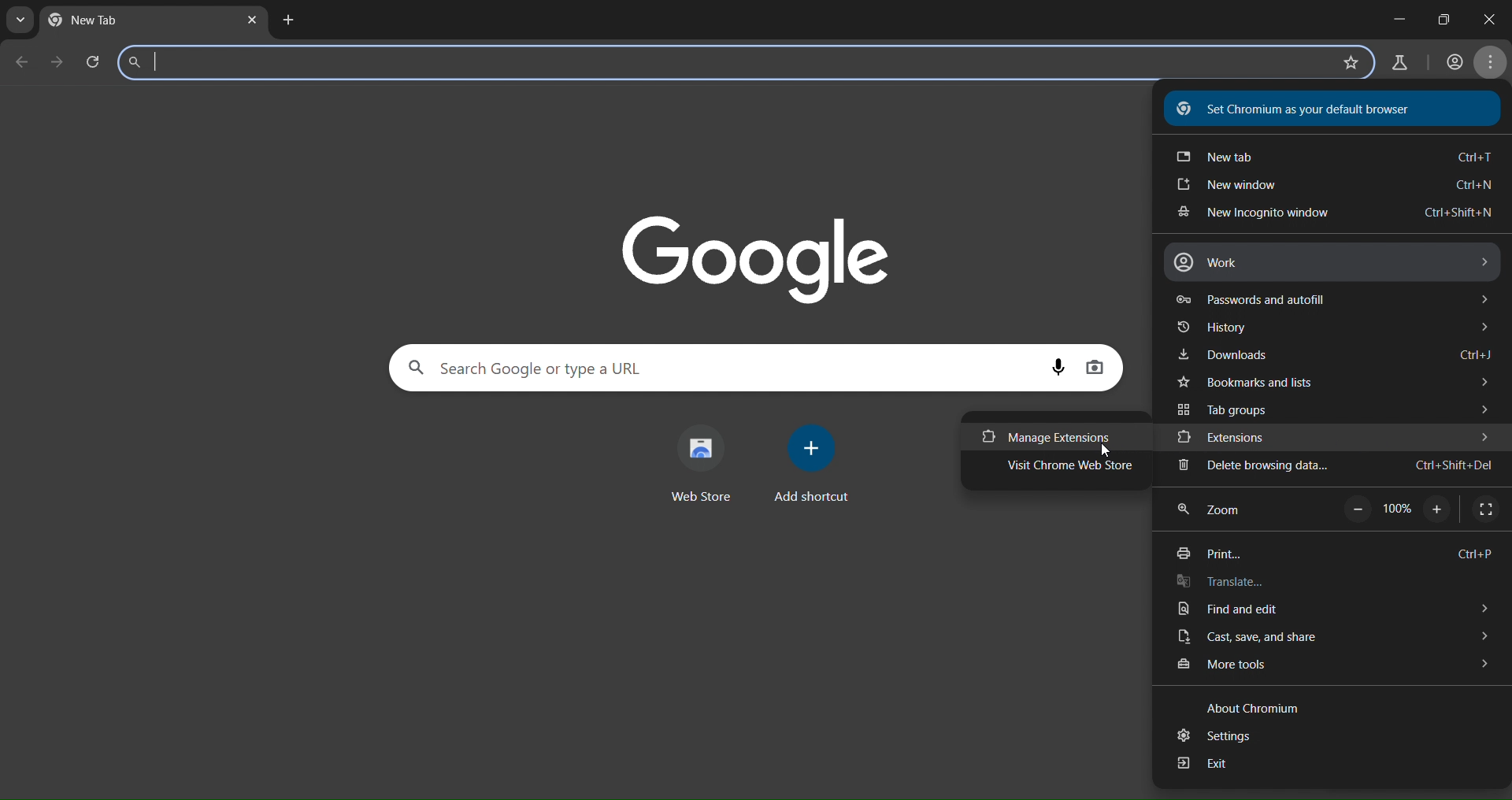 This screenshot has width=1512, height=800. What do you see at coordinates (1354, 65) in the screenshot?
I see `bookmark page` at bounding box center [1354, 65].